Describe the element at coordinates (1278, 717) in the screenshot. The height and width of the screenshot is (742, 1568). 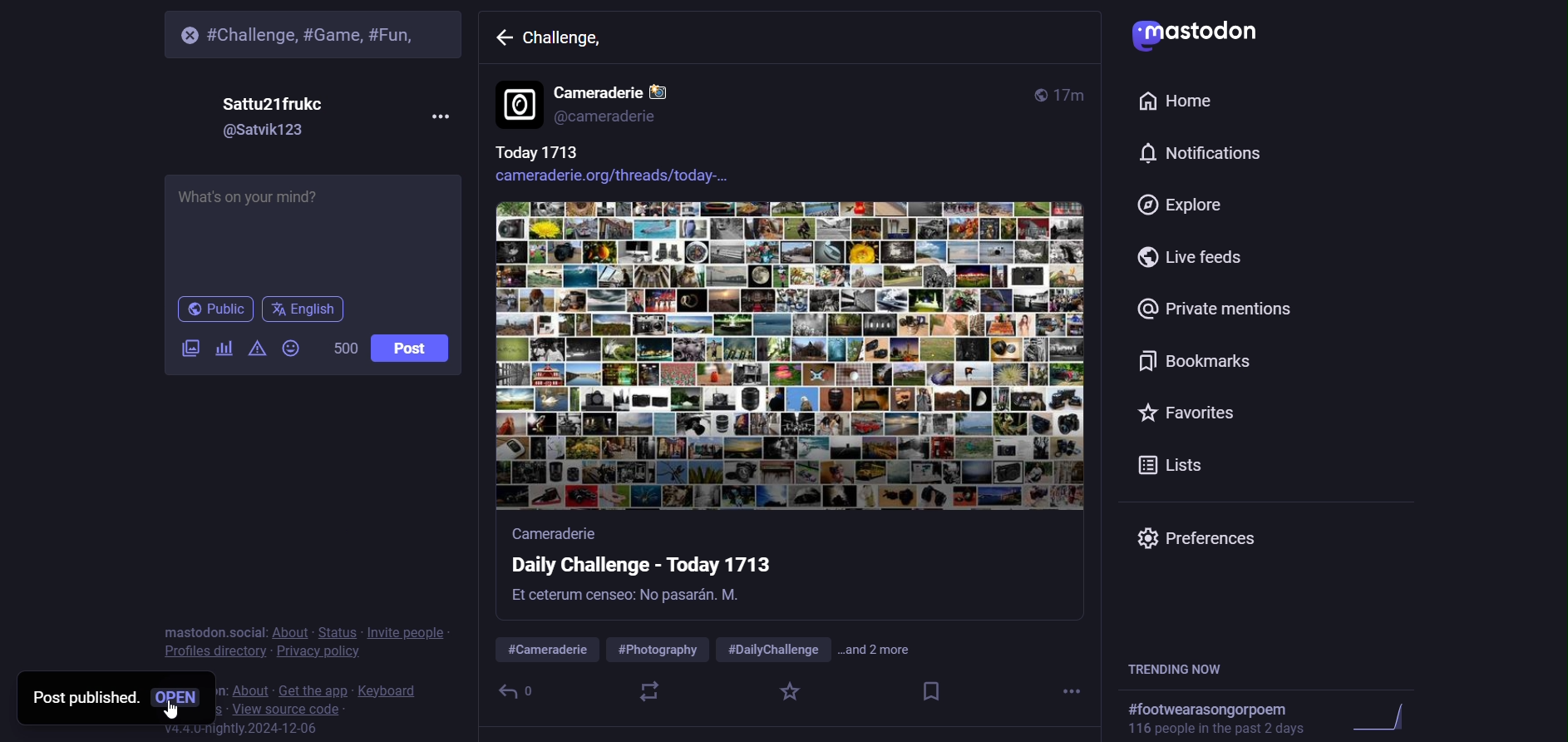
I see `#footwearasongorpoem
116 people in the past 2 days` at that location.